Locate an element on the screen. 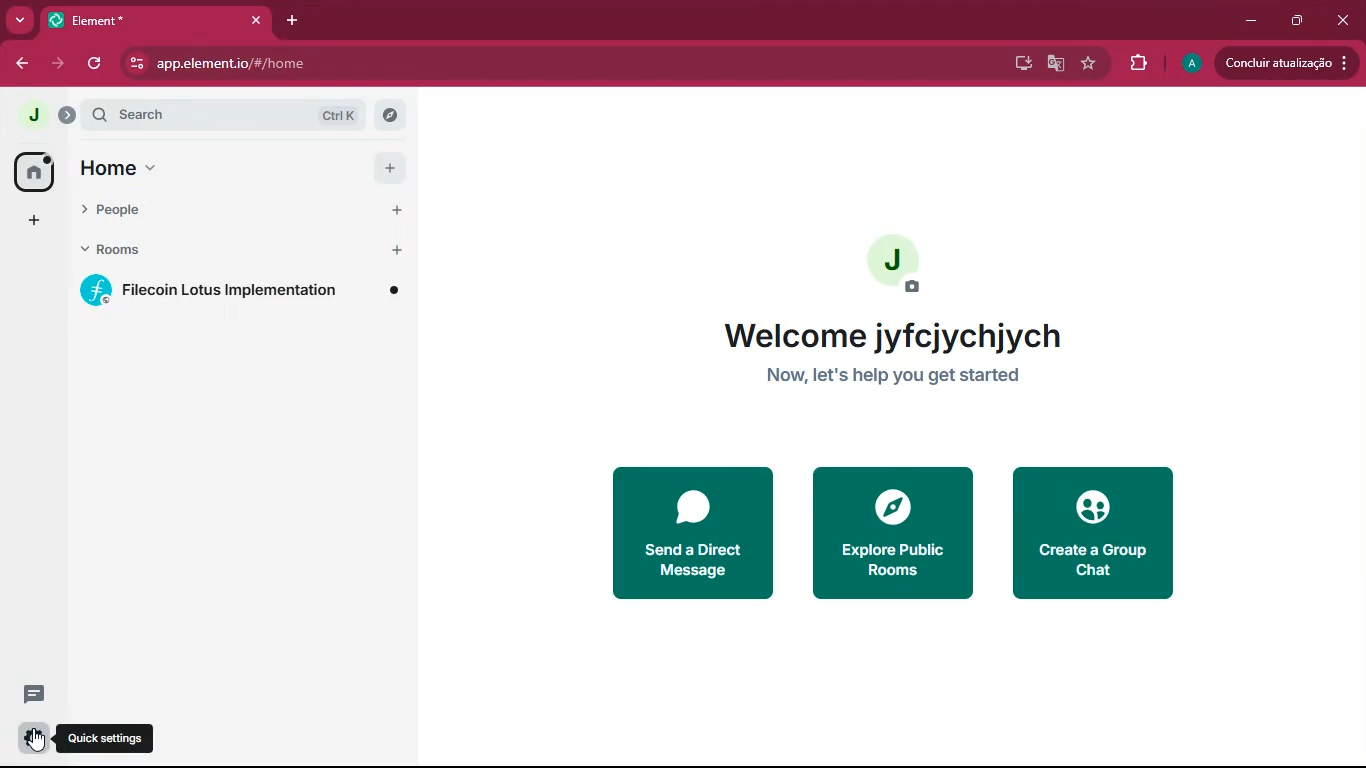 Image resolution: width=1366 pixels, height=768 pixels. back is located at coordinates (23, 63).